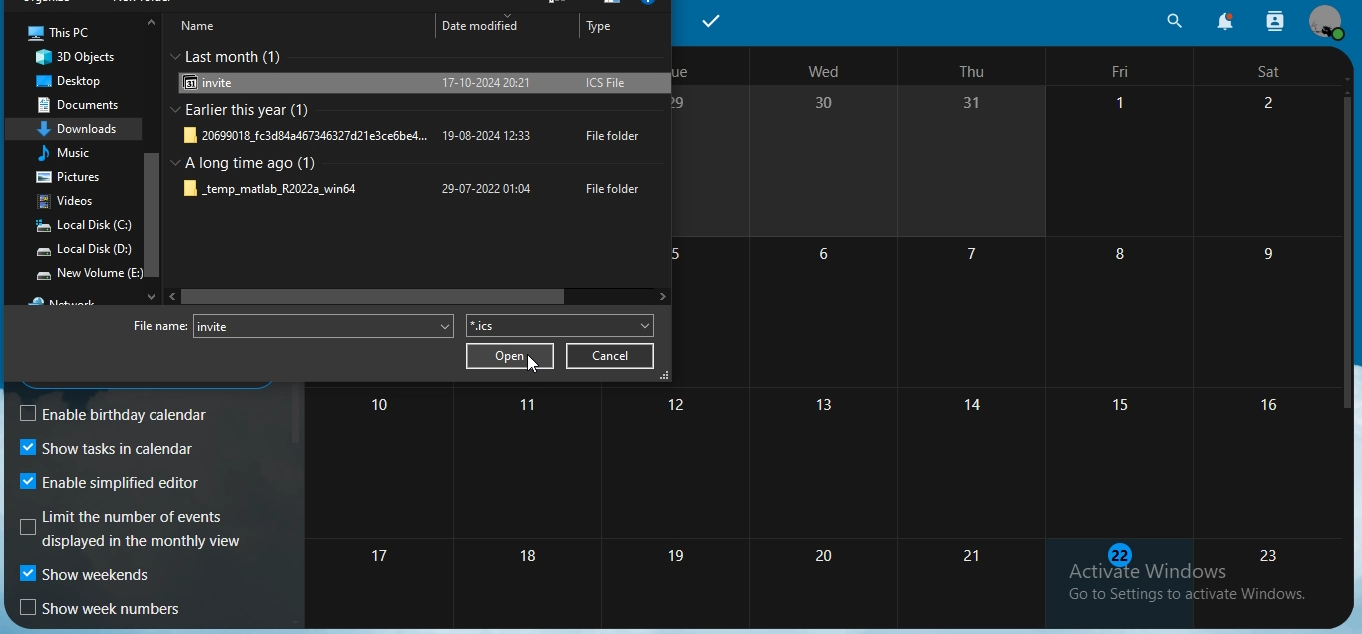 The width and height of the screenshot is (1362, 634). Describe the element at coordinates (153, 162) in the screenshot. I see `scrollbar` at that location.